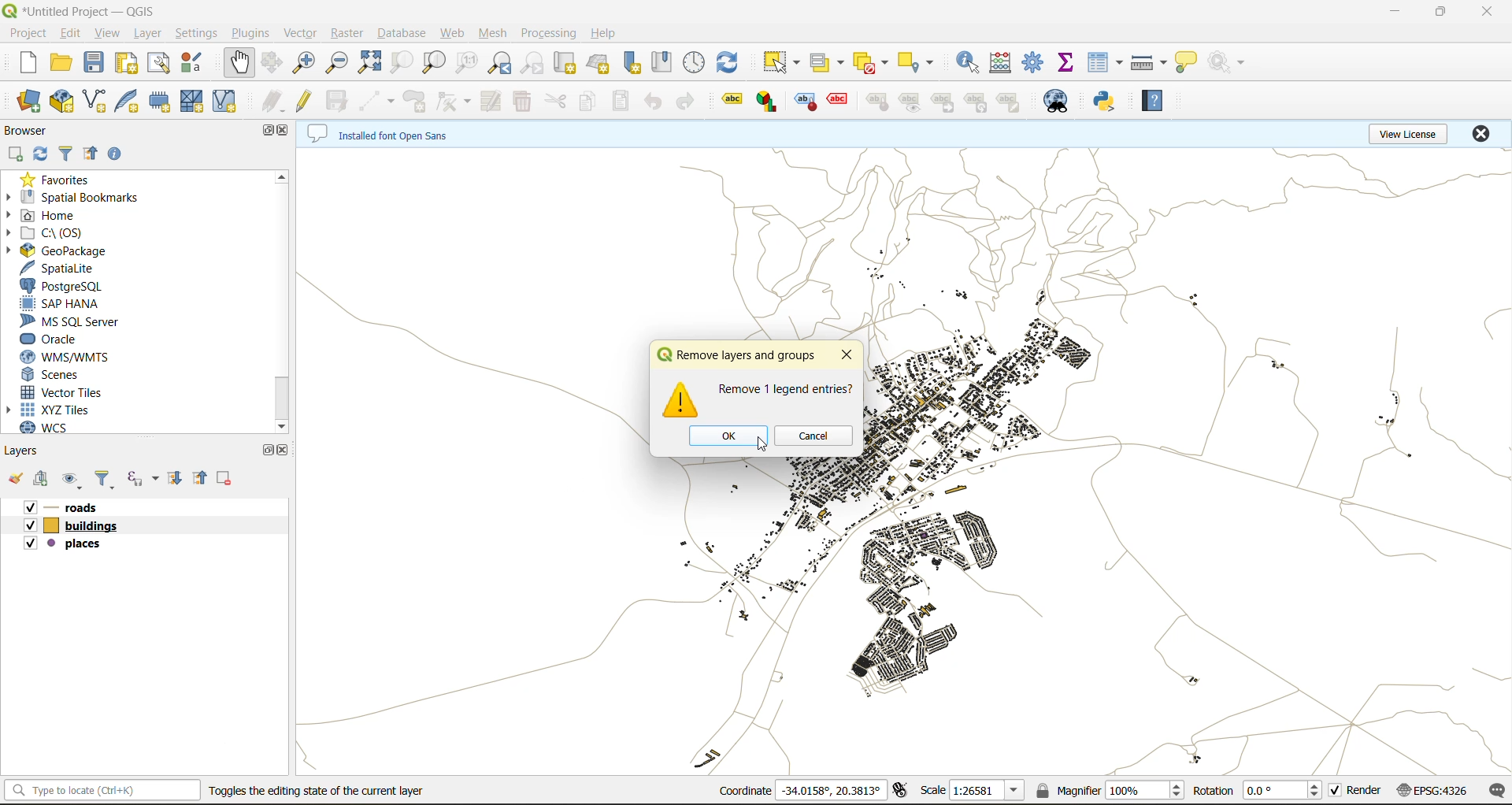 The width and height of the screenshot is (1512, 805). I want to click on ok, so click(725, 436).